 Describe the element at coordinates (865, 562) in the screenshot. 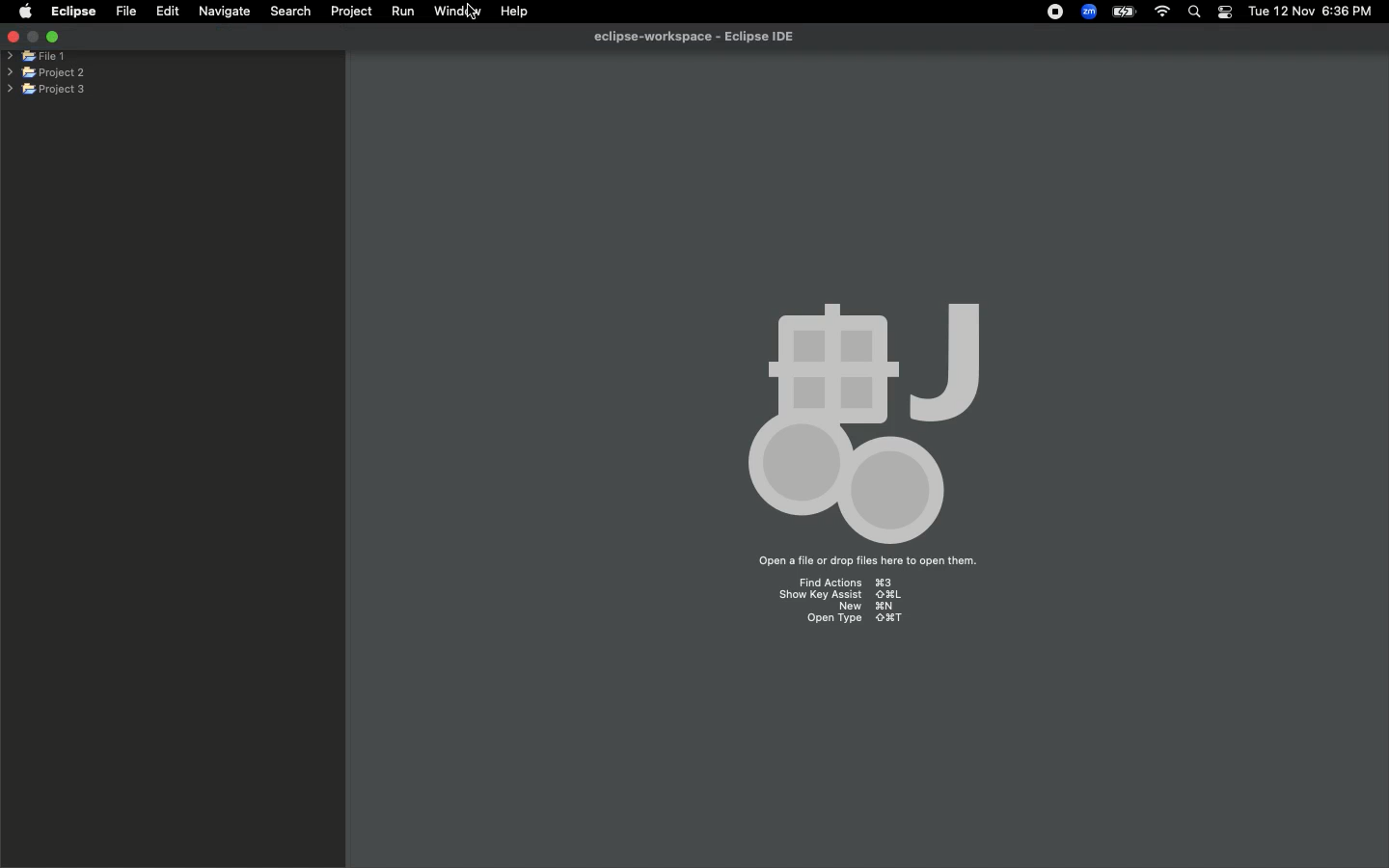

I see `Drag files here to open them` at that location.